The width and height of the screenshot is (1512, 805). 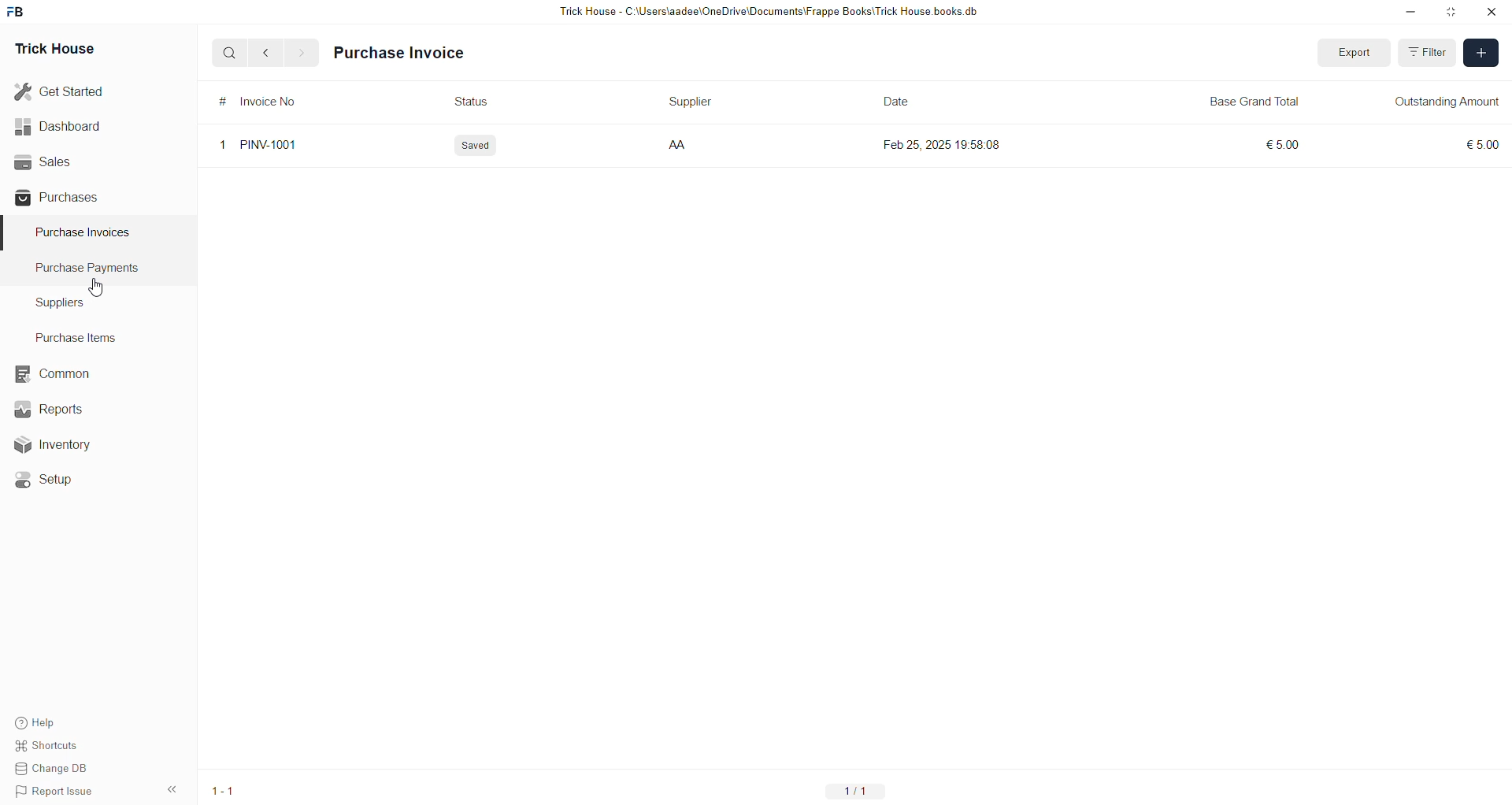 I want to click on Purchase Items., so click(x=73, y=336).